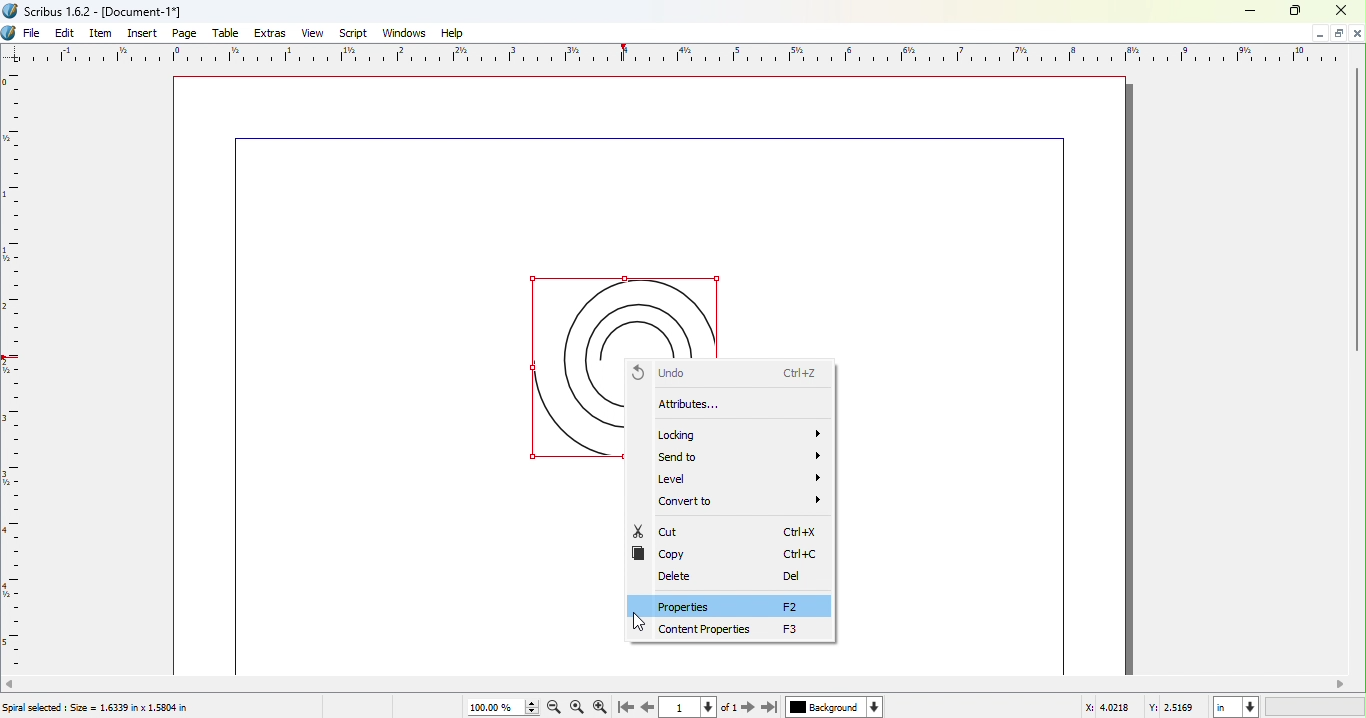  Describe the element at coordinates (10, 33) in the screenshot. I see `Icon` at that location.